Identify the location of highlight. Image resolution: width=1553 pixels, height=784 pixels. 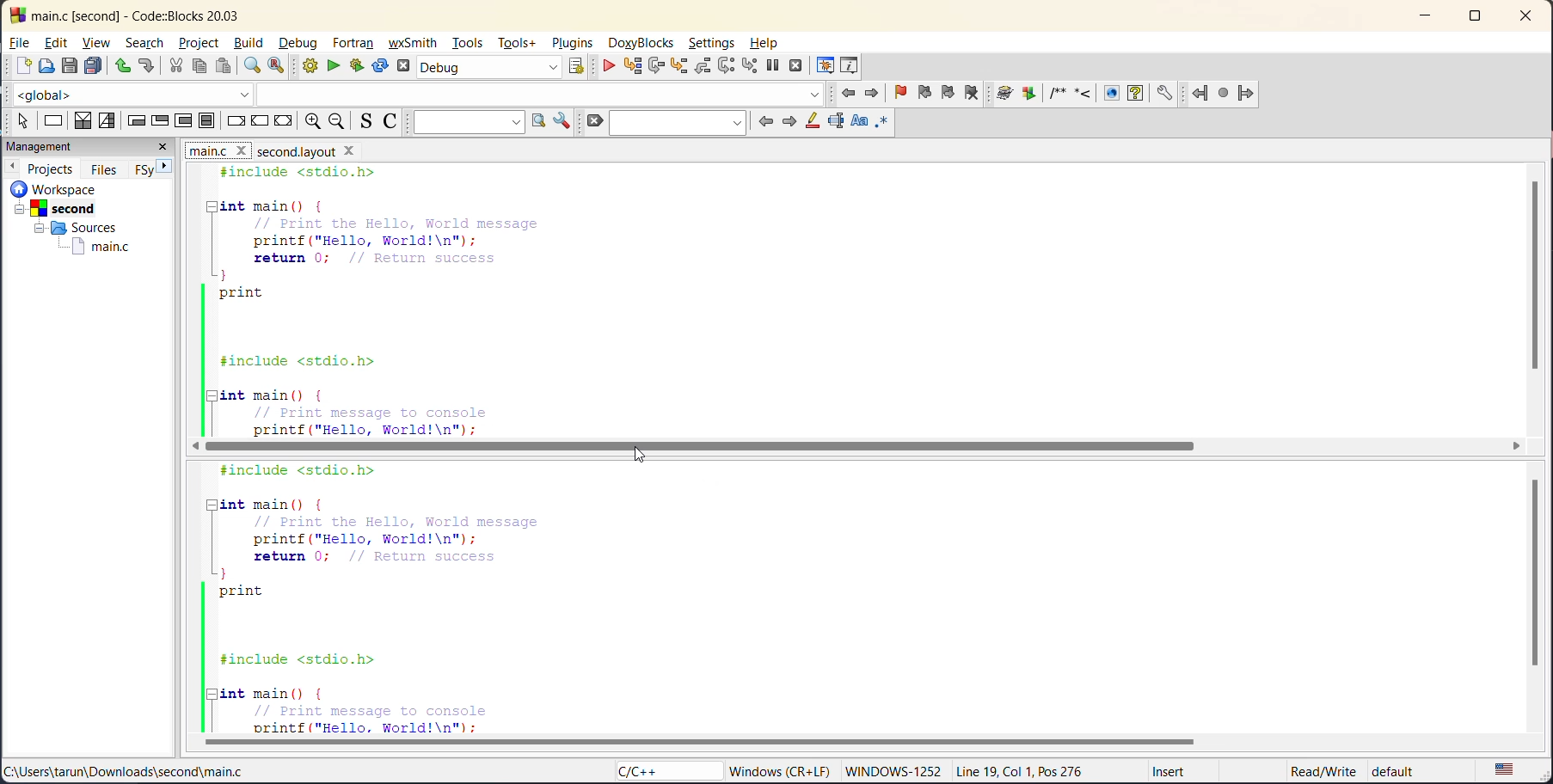
(812, 123).